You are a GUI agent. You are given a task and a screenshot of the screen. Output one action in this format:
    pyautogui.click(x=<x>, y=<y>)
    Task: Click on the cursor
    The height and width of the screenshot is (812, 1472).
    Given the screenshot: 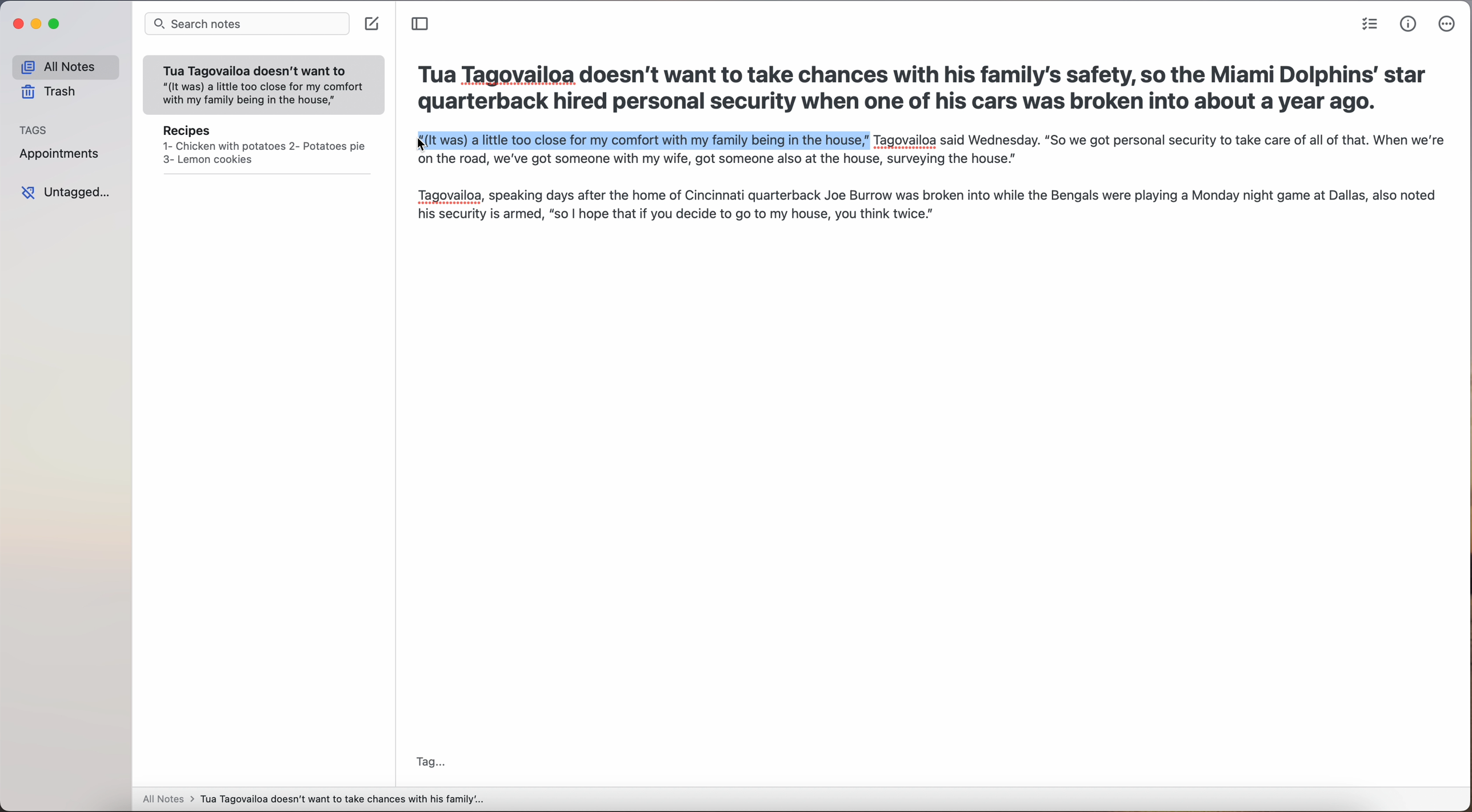 What is the action you would take?
    pyautogui.click(x=414, y=146)
    